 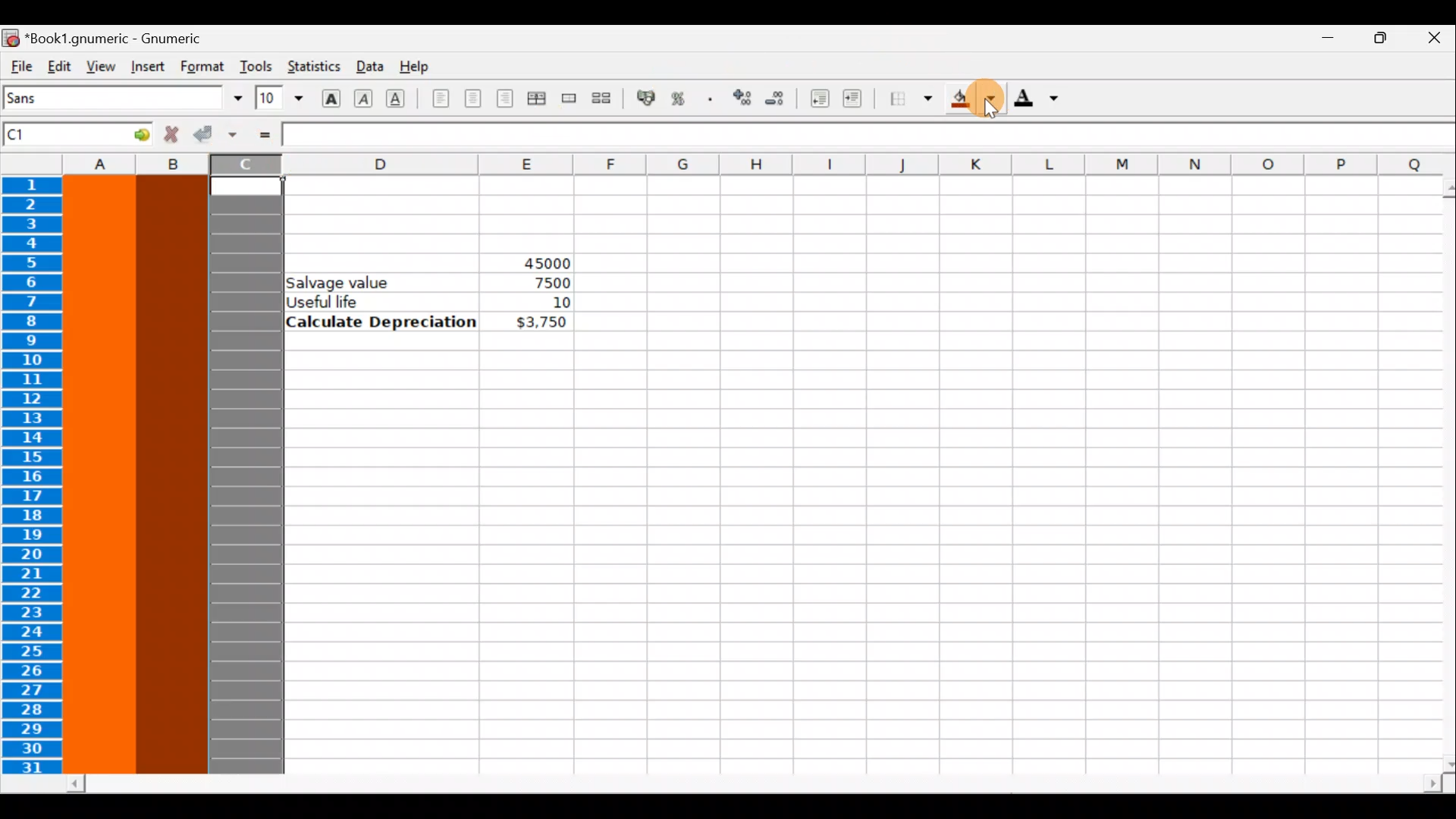 I want to click on Cells, so click(x=836, y=573).